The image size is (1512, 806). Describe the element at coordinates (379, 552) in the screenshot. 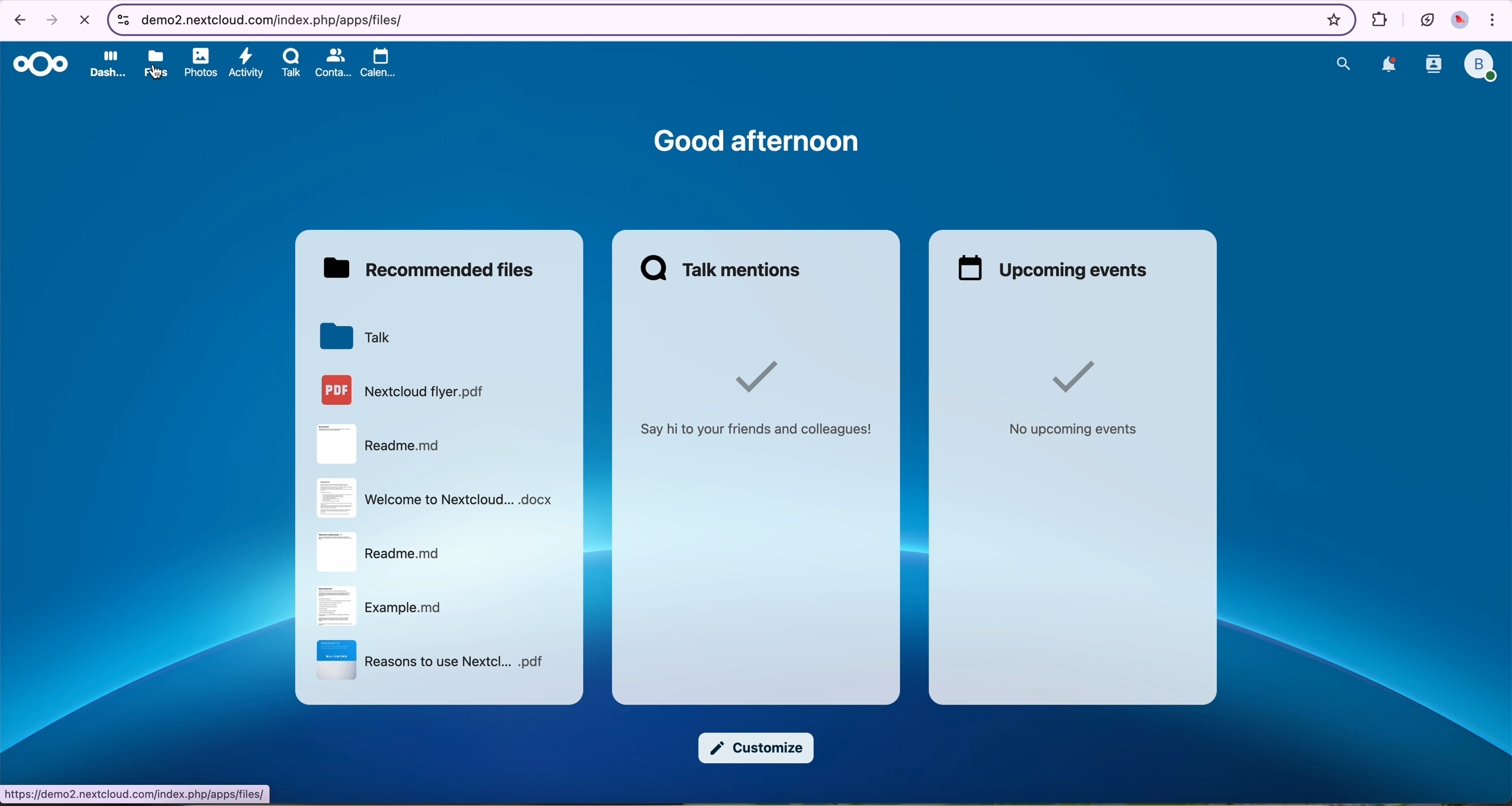

I see `file` at that location.